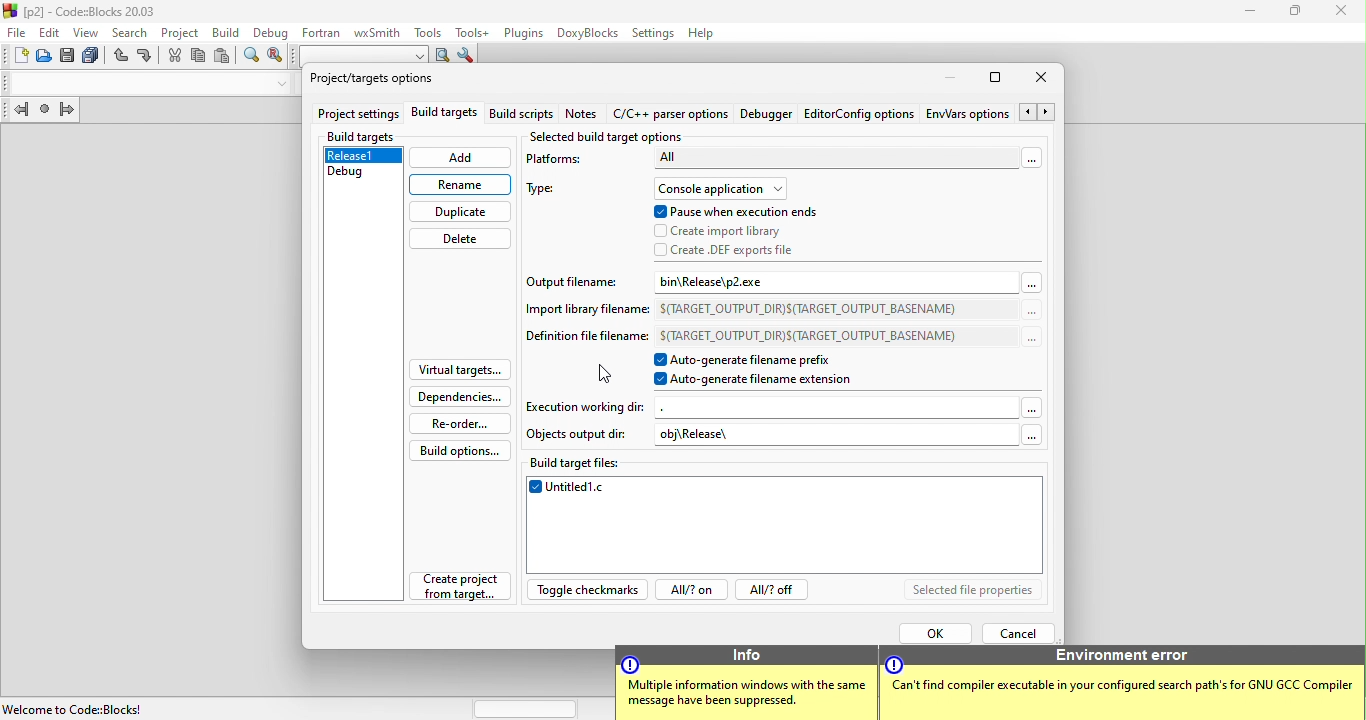 This screenshot has height=720, width=1366. I want to click on More, so click(1034, 403).